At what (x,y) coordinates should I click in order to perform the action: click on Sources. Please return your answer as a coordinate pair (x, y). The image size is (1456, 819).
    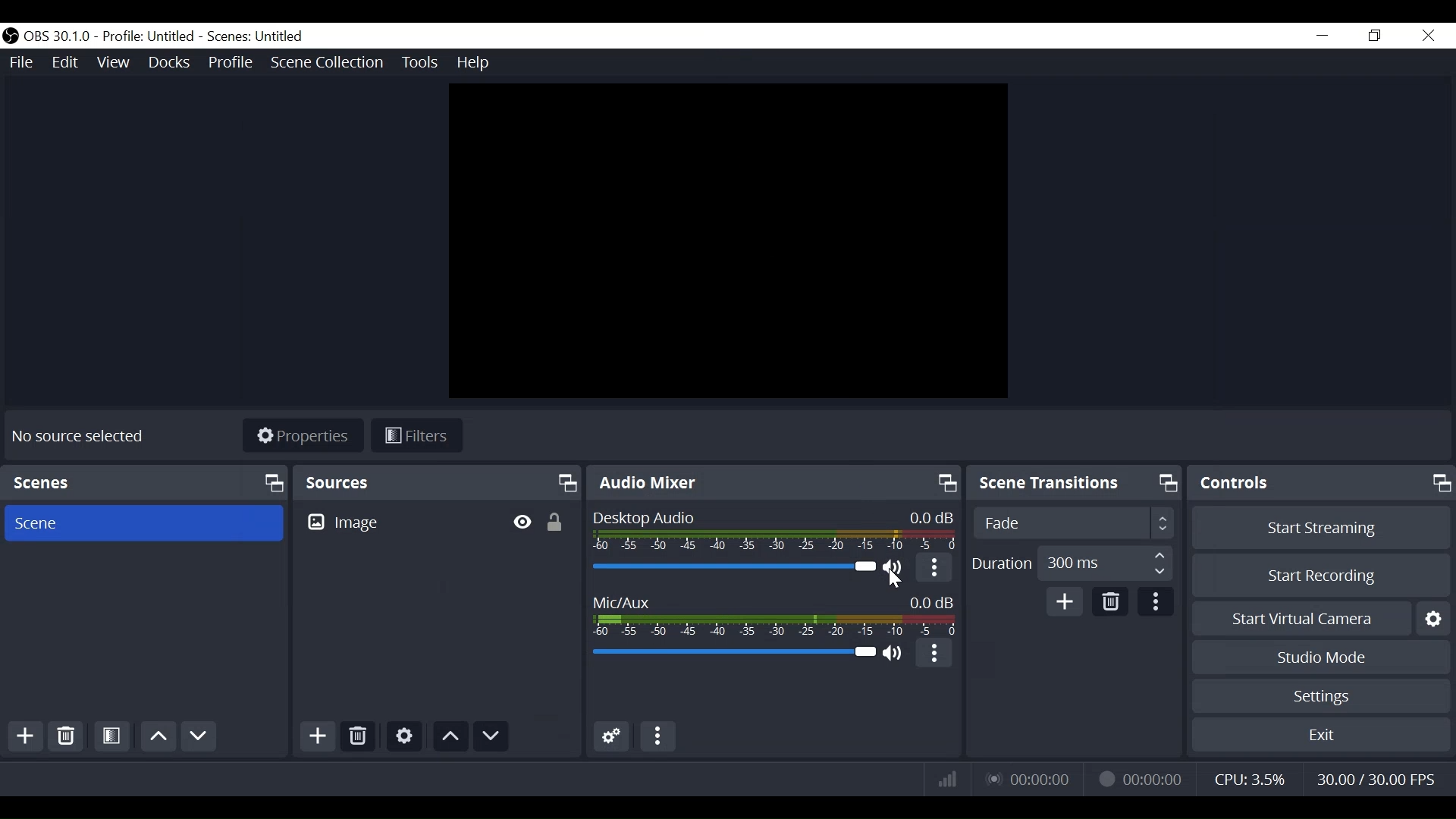
    Looking at the image, I should click on (440, 483).